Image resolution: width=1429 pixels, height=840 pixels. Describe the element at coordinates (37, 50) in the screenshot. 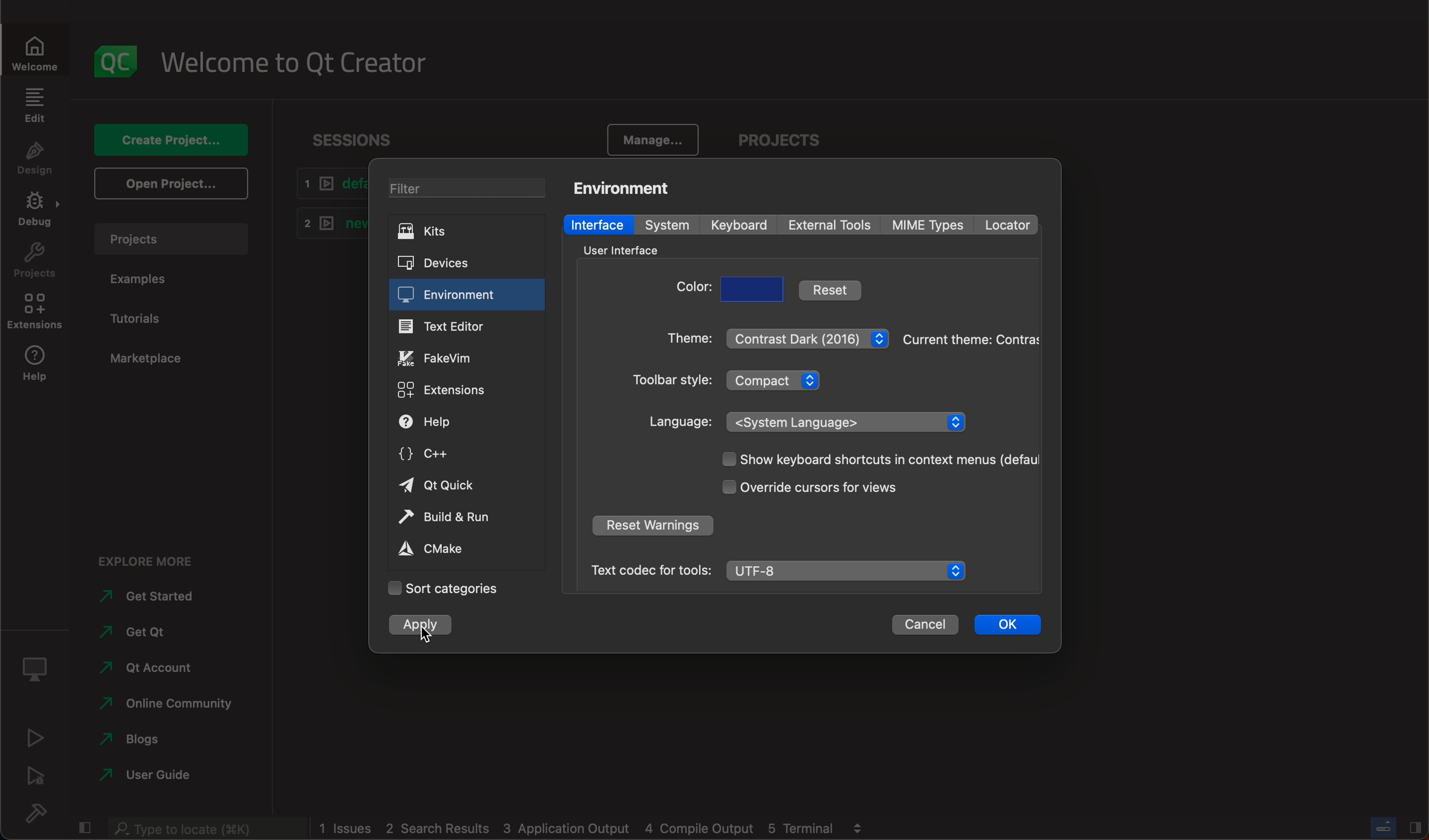

I see `Welcome` at that location.